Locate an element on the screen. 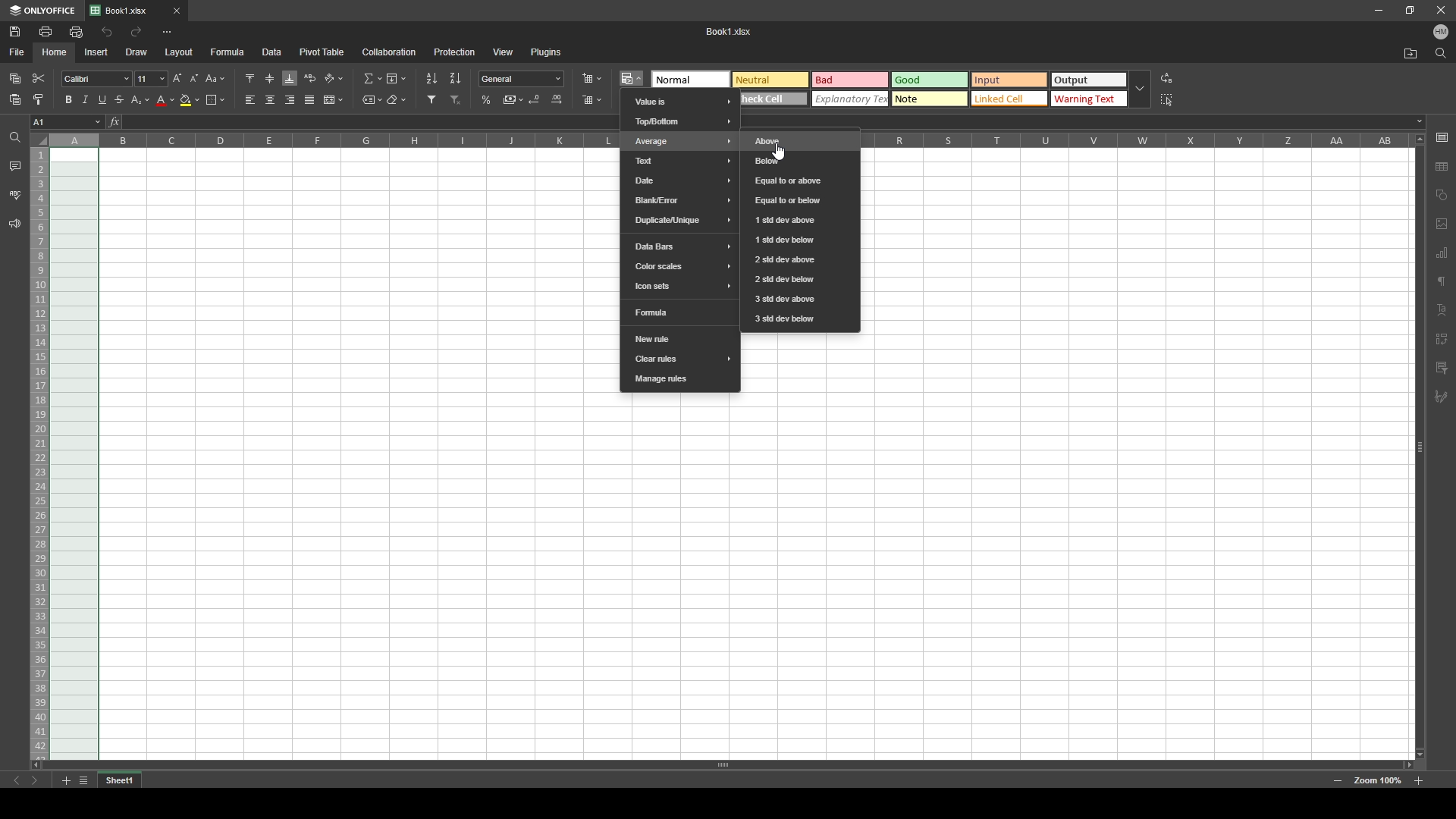  paste is located at coordinates (15, 100).